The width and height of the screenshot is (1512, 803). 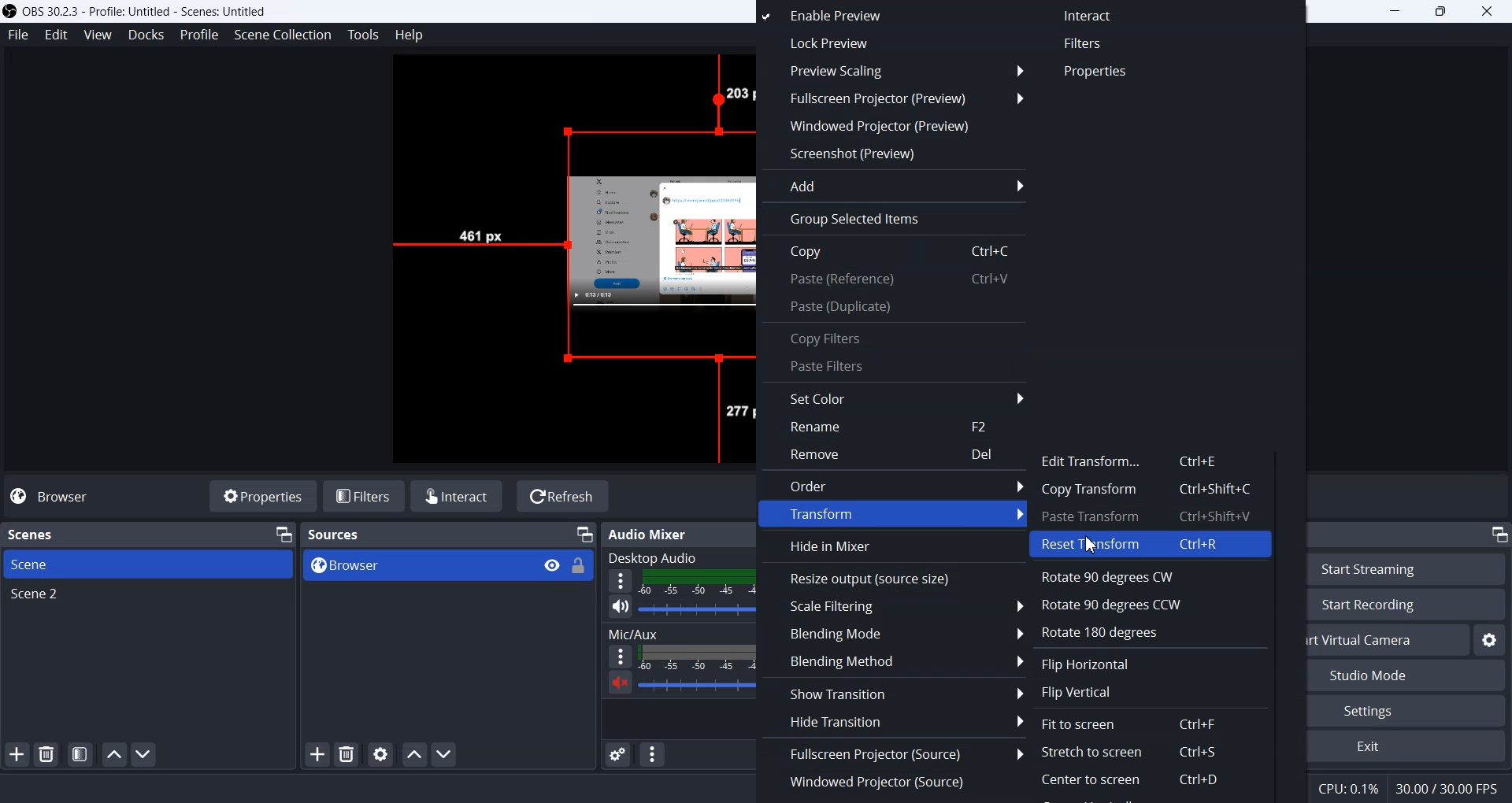 What do you see at coordinates (363, 35) in the screenshot?
I see `Tools` at bounding box center [363, 35].